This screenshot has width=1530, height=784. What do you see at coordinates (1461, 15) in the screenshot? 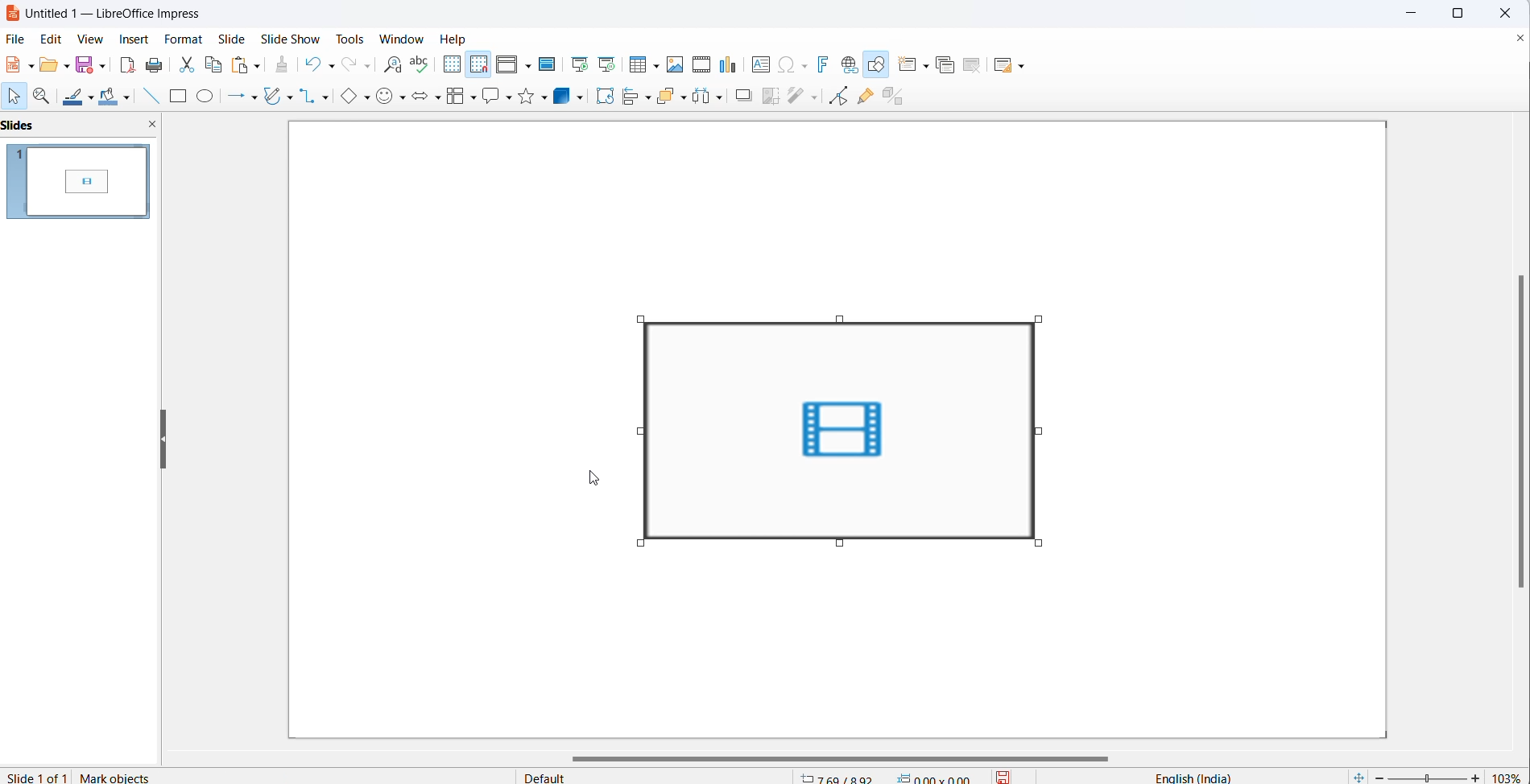
I see `maximize` at bounding box center [1461, 15].